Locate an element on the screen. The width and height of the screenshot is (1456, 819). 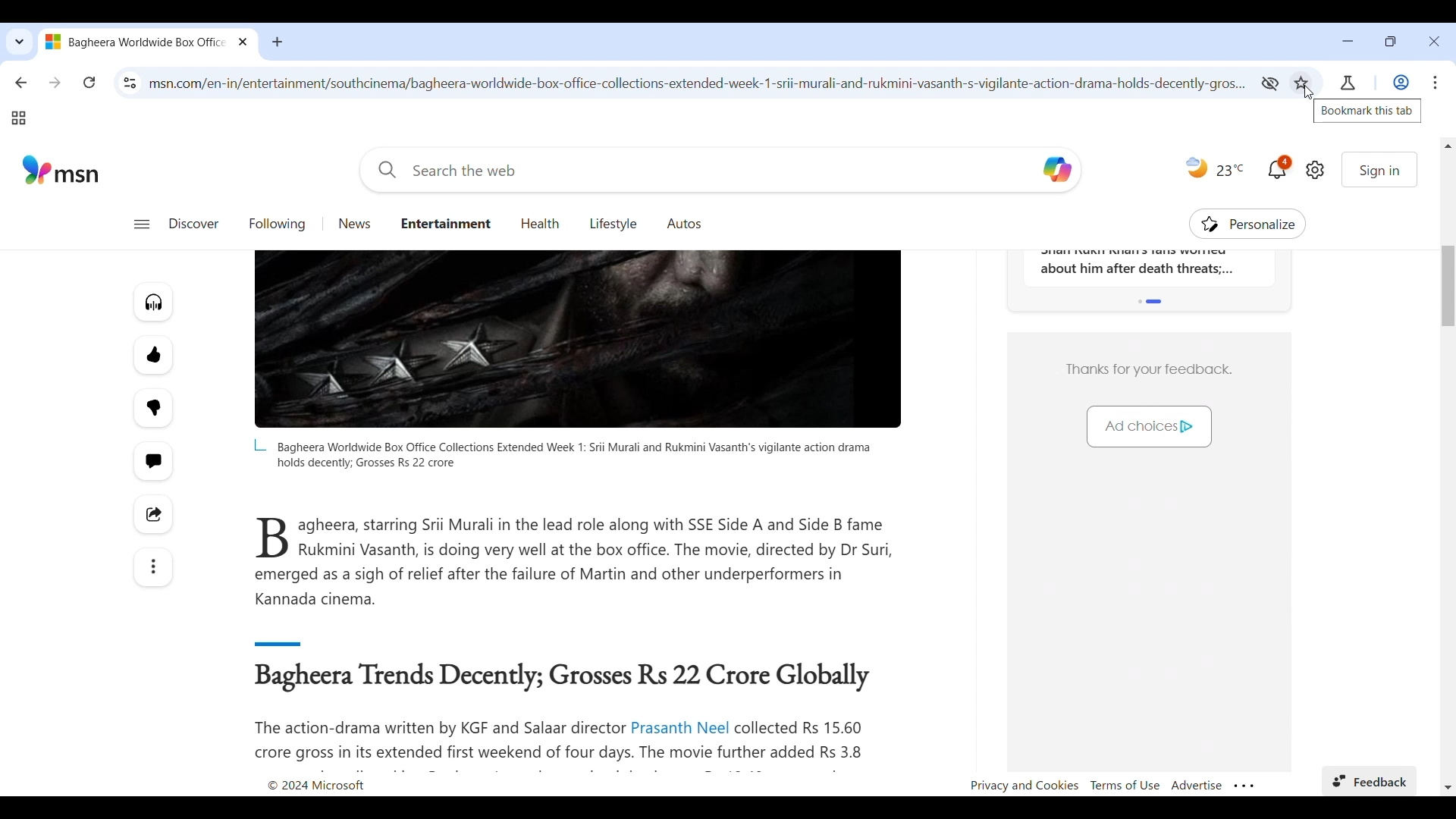
Open settings is located at coordinates (1315, 170).